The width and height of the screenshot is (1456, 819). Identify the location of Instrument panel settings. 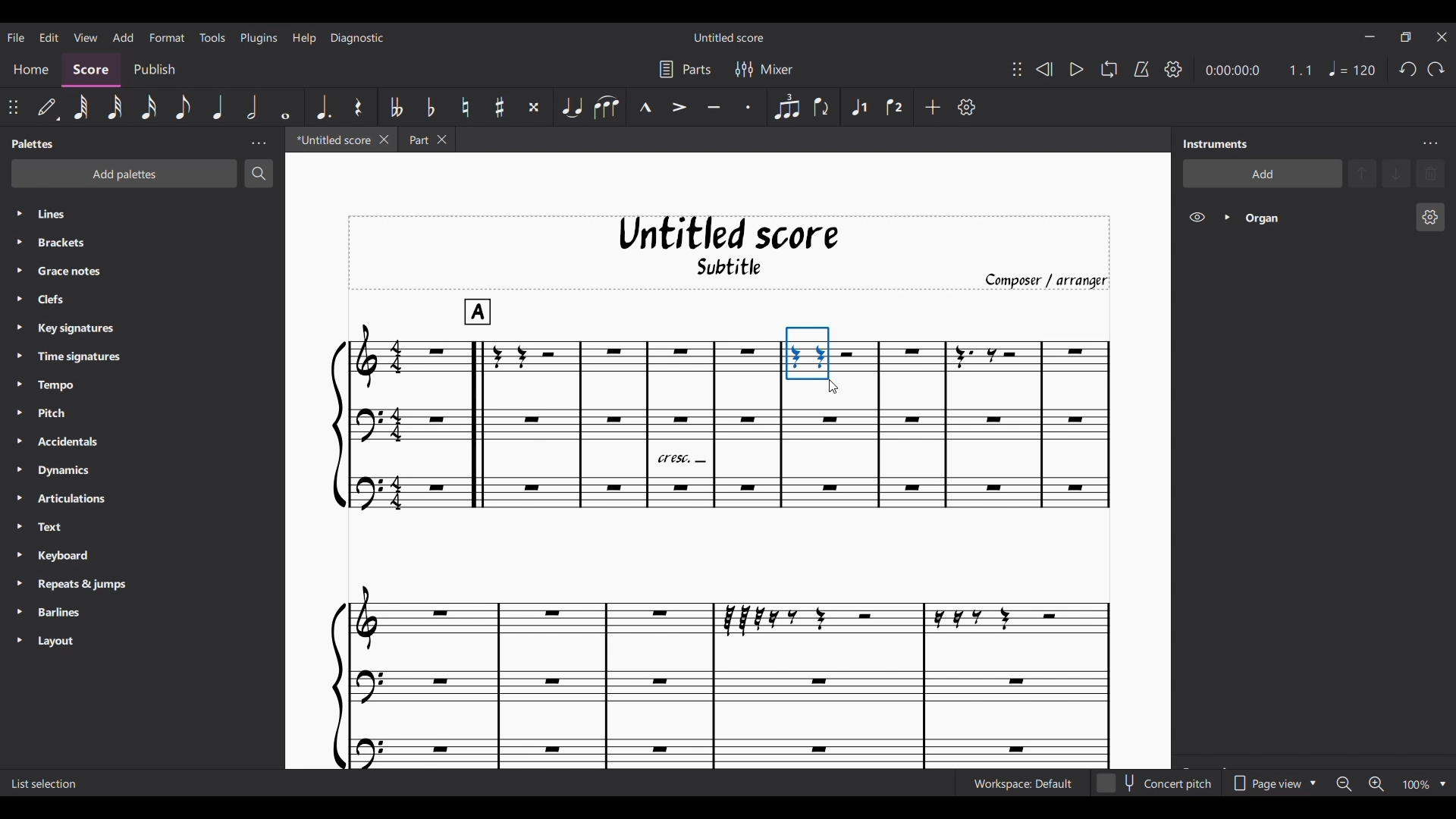
(1430, 144).